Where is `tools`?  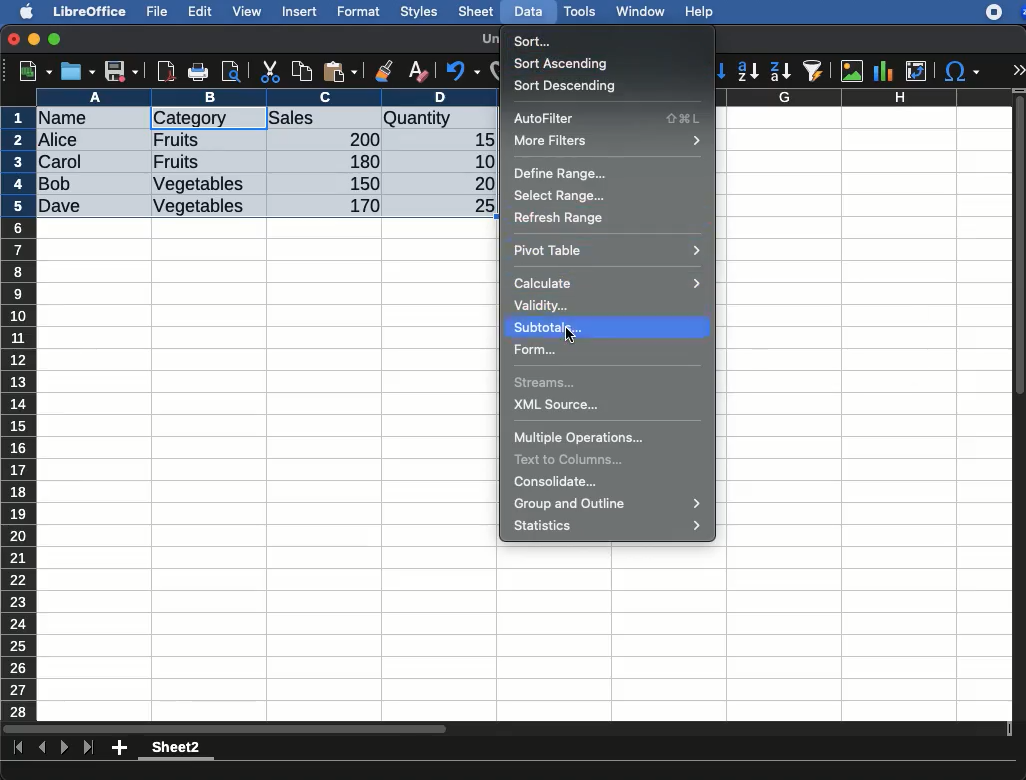
tools is located at coordinates (581, 11).